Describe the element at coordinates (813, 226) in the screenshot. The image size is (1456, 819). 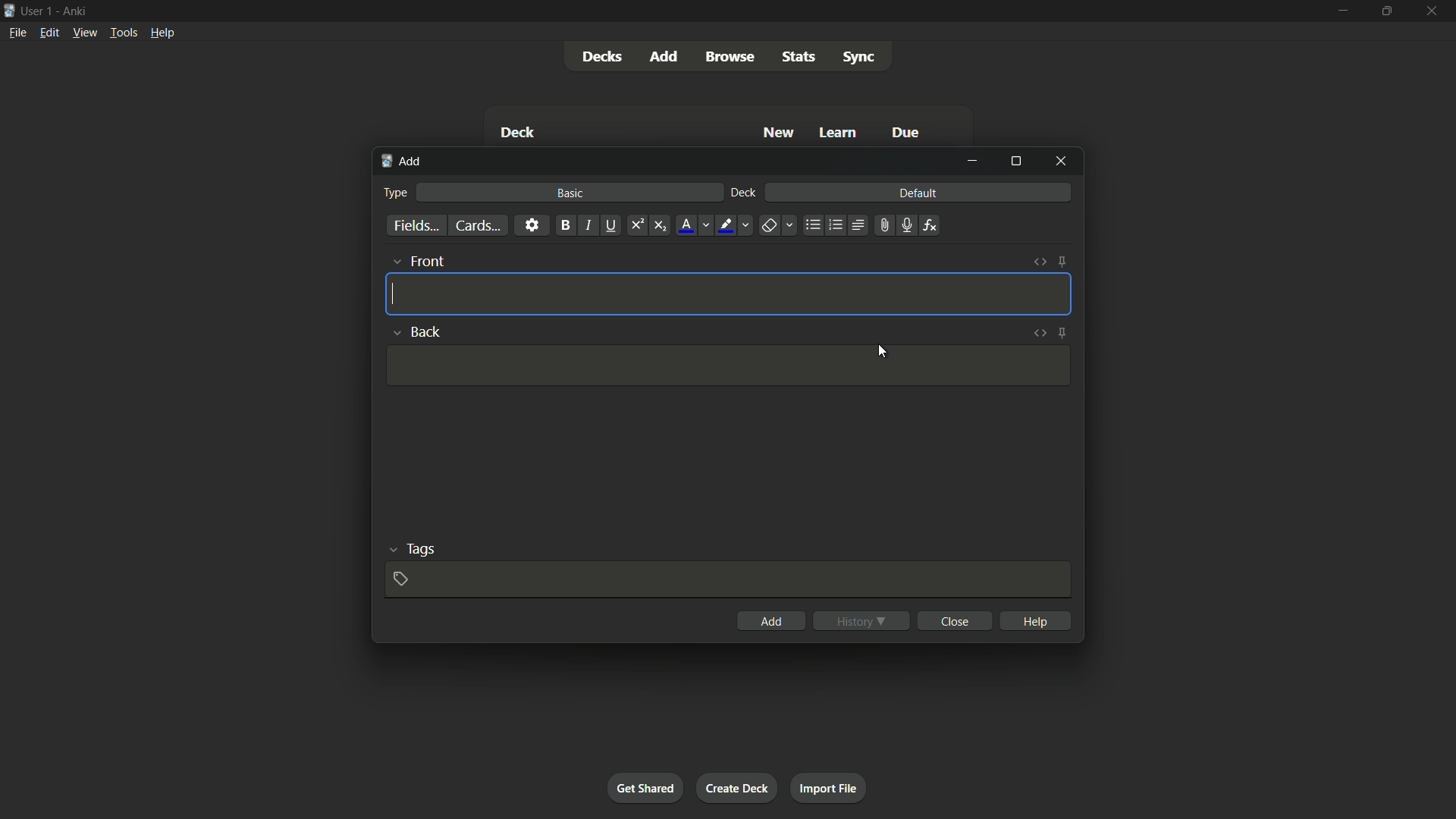
I see `unordered list` at that location.